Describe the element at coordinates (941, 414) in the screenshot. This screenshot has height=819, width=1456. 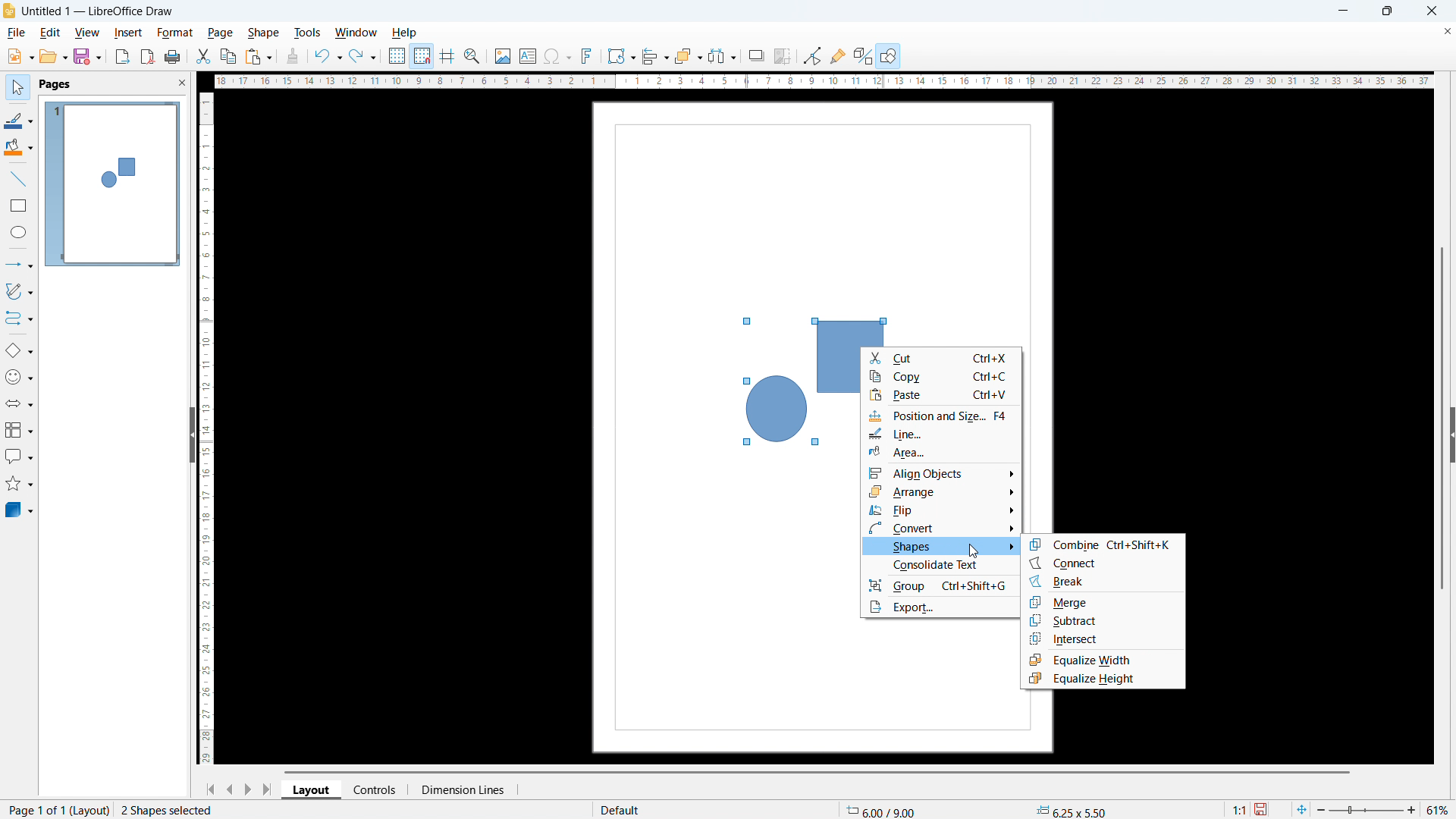
I see `position and size` at that location.